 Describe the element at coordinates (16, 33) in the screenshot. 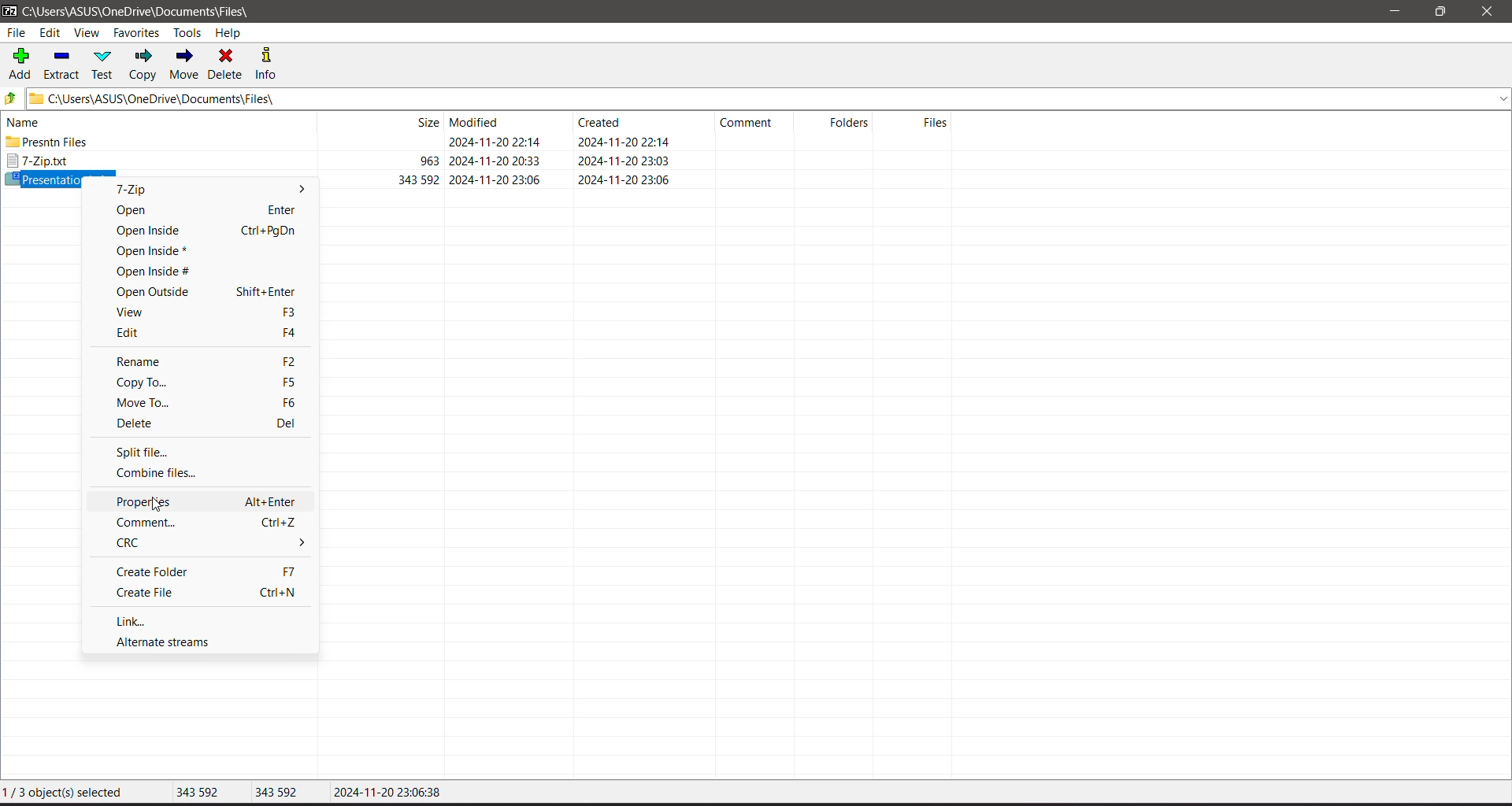

I see `File` at that location.